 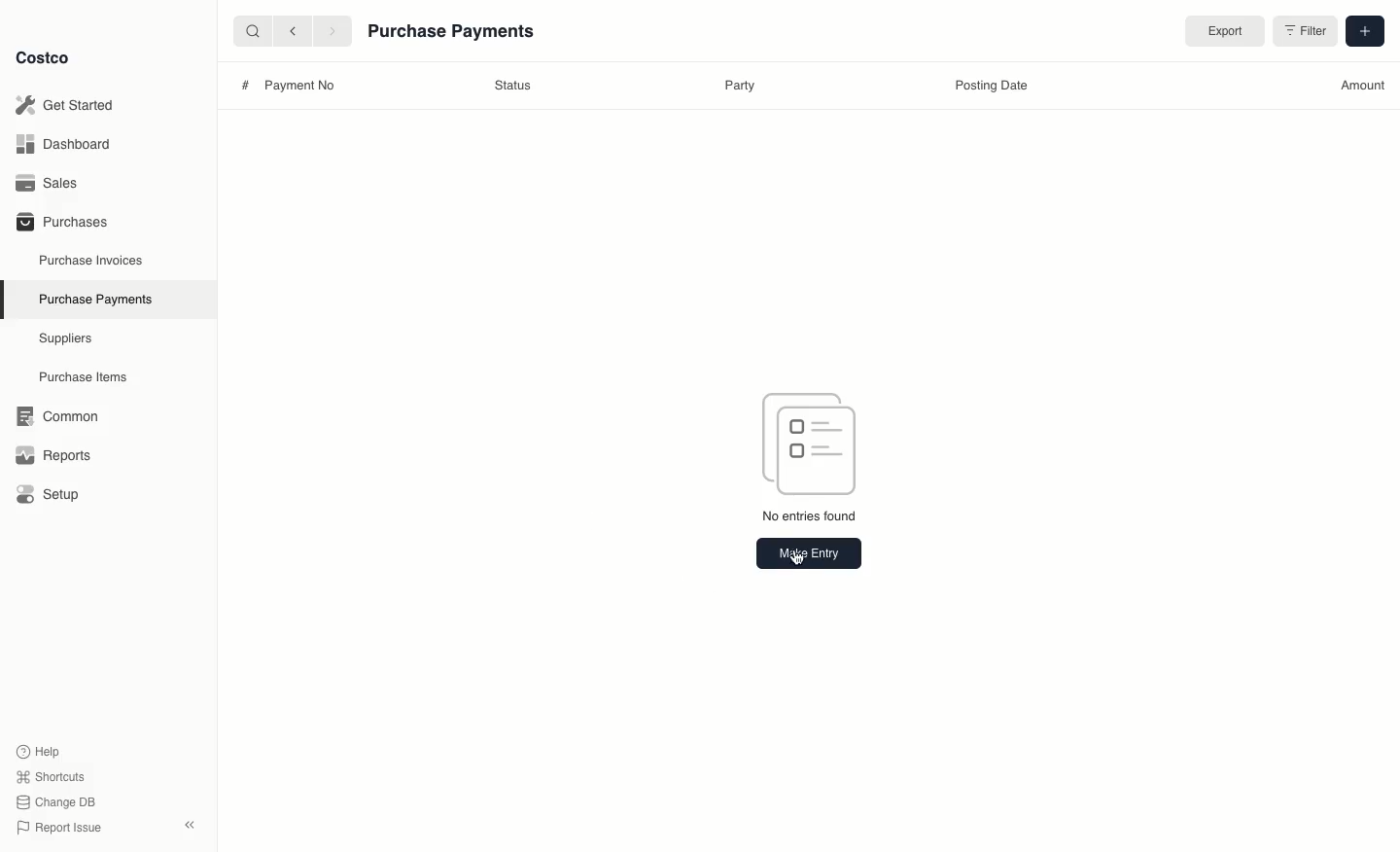 What do you see at coordinates (61, 221) in the screenshot?
I see `Purchases` at bounding box center [61, 221].